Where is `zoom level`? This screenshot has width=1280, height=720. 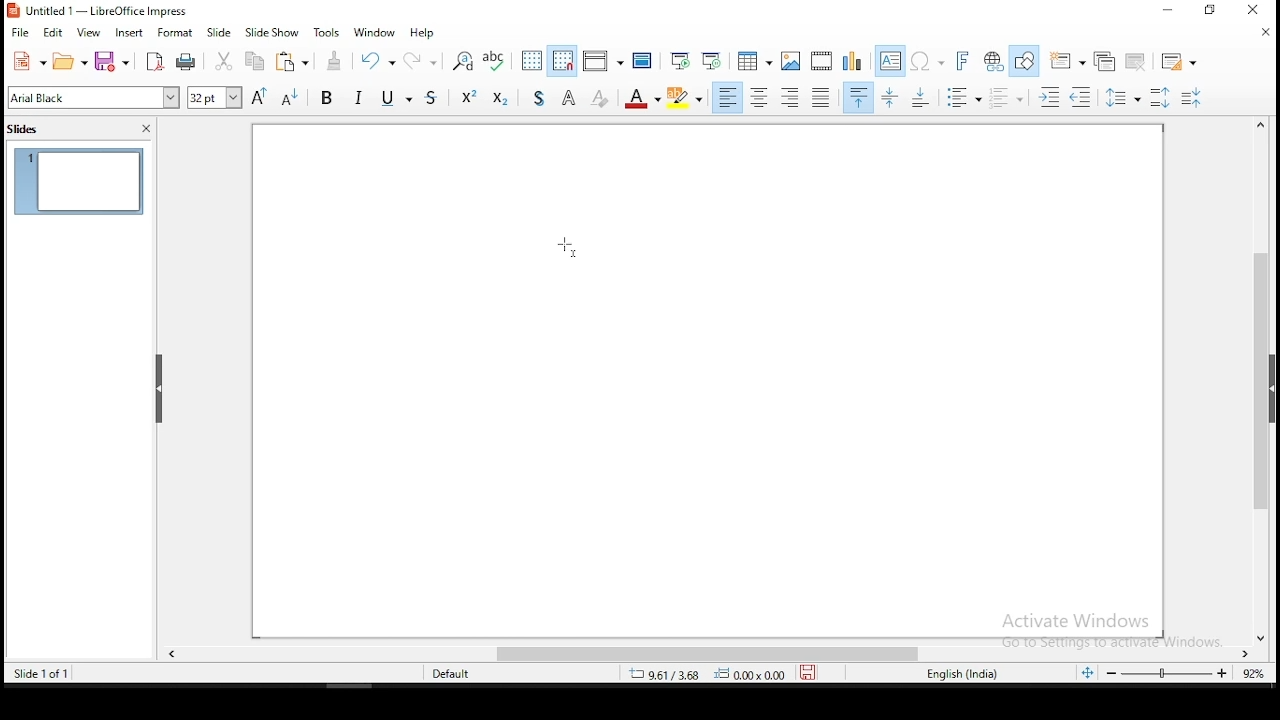
zoom level is located at coordinates (1185, 673).